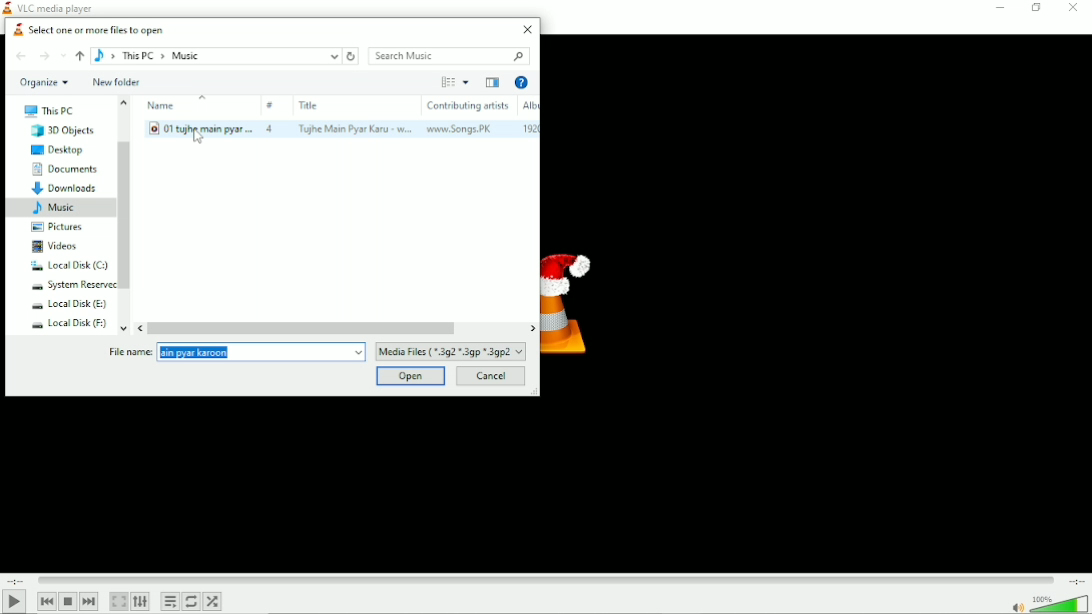 This screenshot has width=1092, height=614. Describe the element at coordinates (59, 150) in the screenshot. I see `Desktop` at that location.